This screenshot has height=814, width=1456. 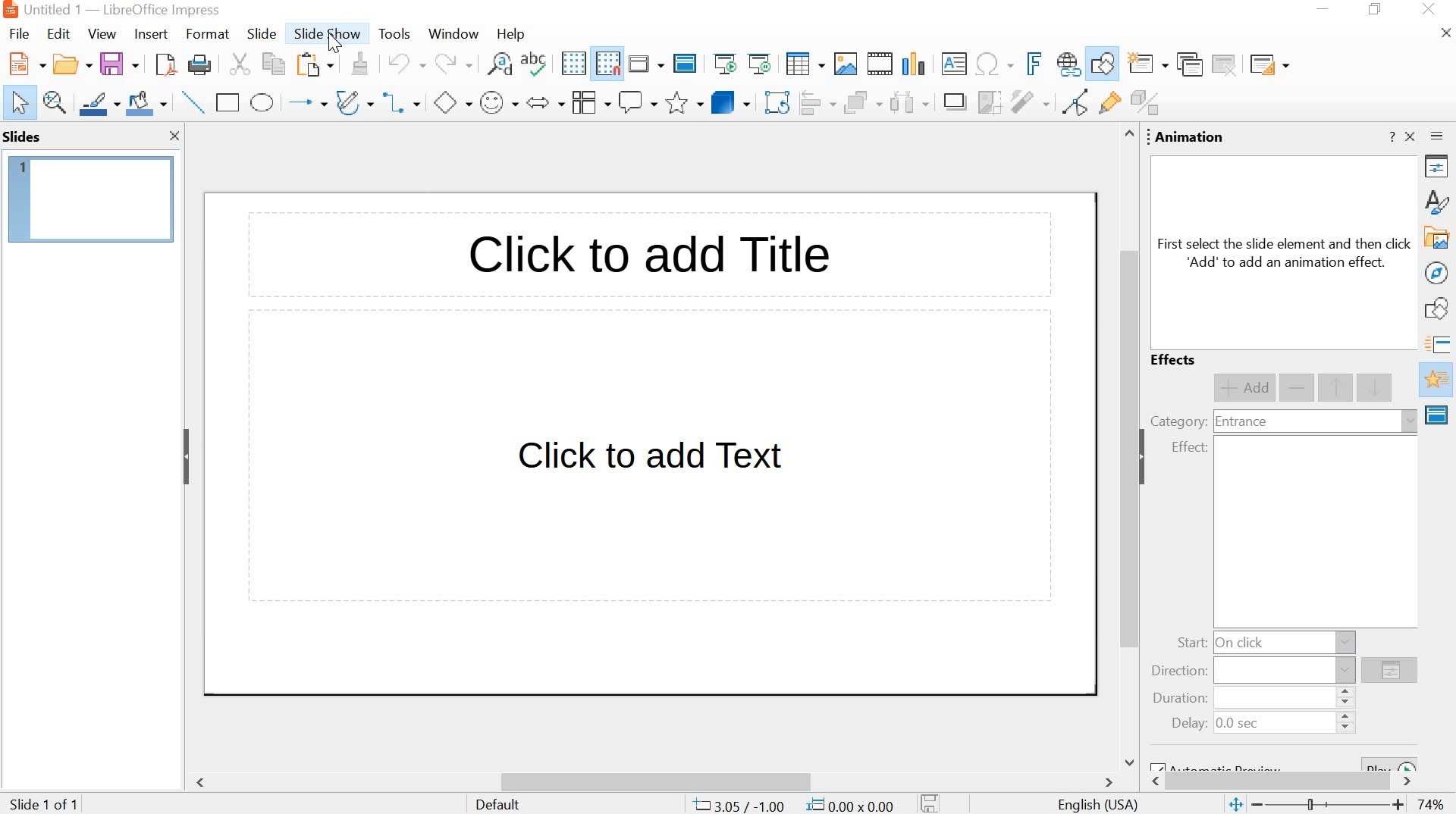 I want to click on start, so click(x=1191, y=643).